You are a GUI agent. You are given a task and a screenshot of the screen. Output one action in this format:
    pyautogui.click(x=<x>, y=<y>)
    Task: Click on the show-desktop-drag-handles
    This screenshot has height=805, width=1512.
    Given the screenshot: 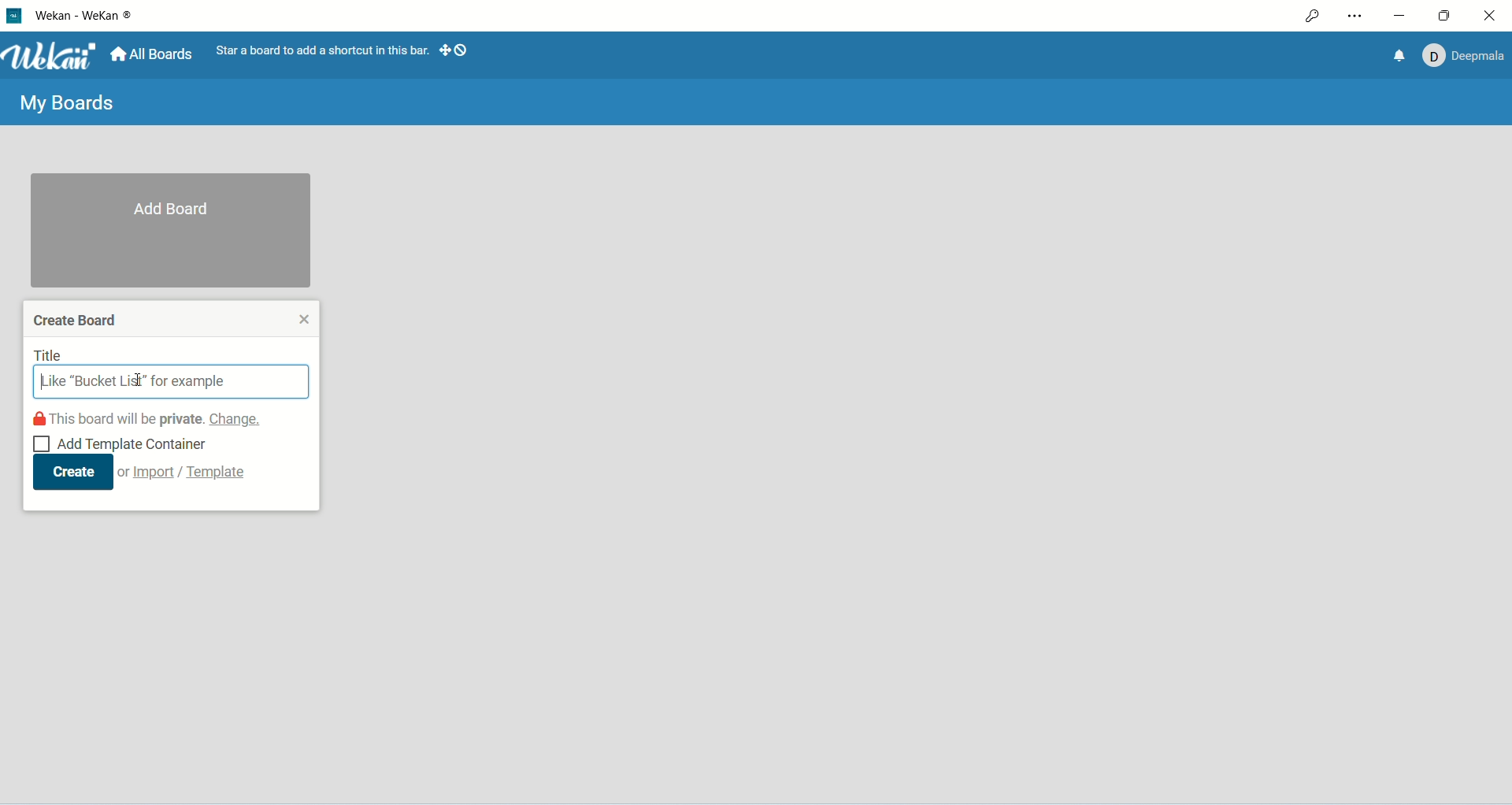 What is the action you would take?
    pyautogui.click(x=442, y=52)
    